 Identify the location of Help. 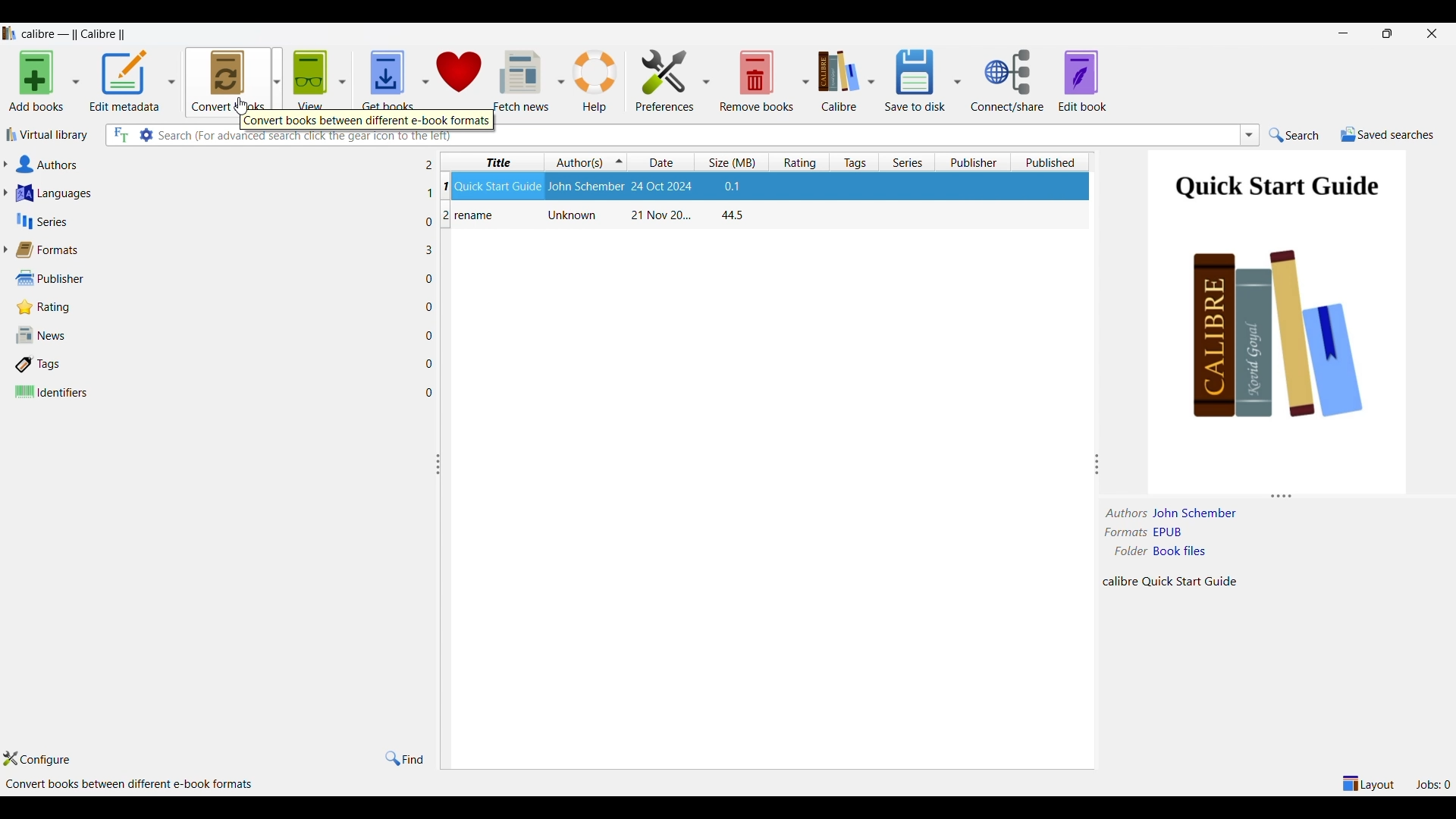
(598, 80).